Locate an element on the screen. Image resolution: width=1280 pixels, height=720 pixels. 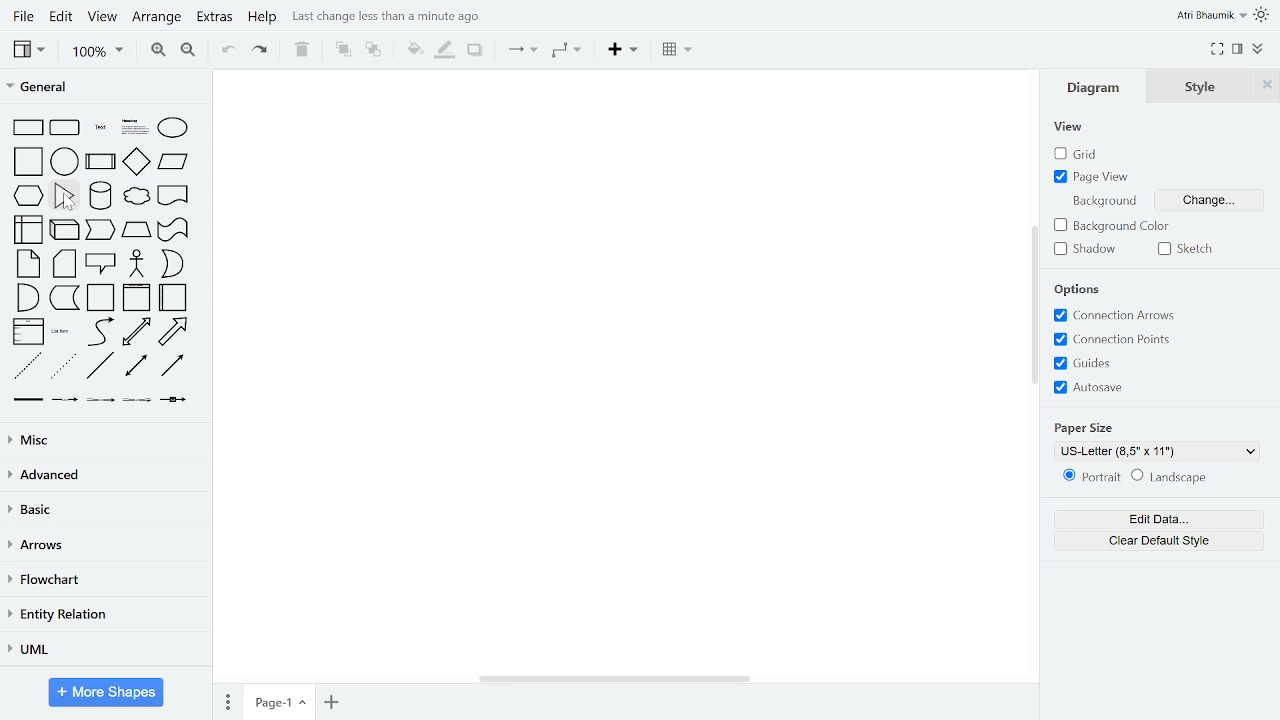
callout is located at coordinates (100, 265).